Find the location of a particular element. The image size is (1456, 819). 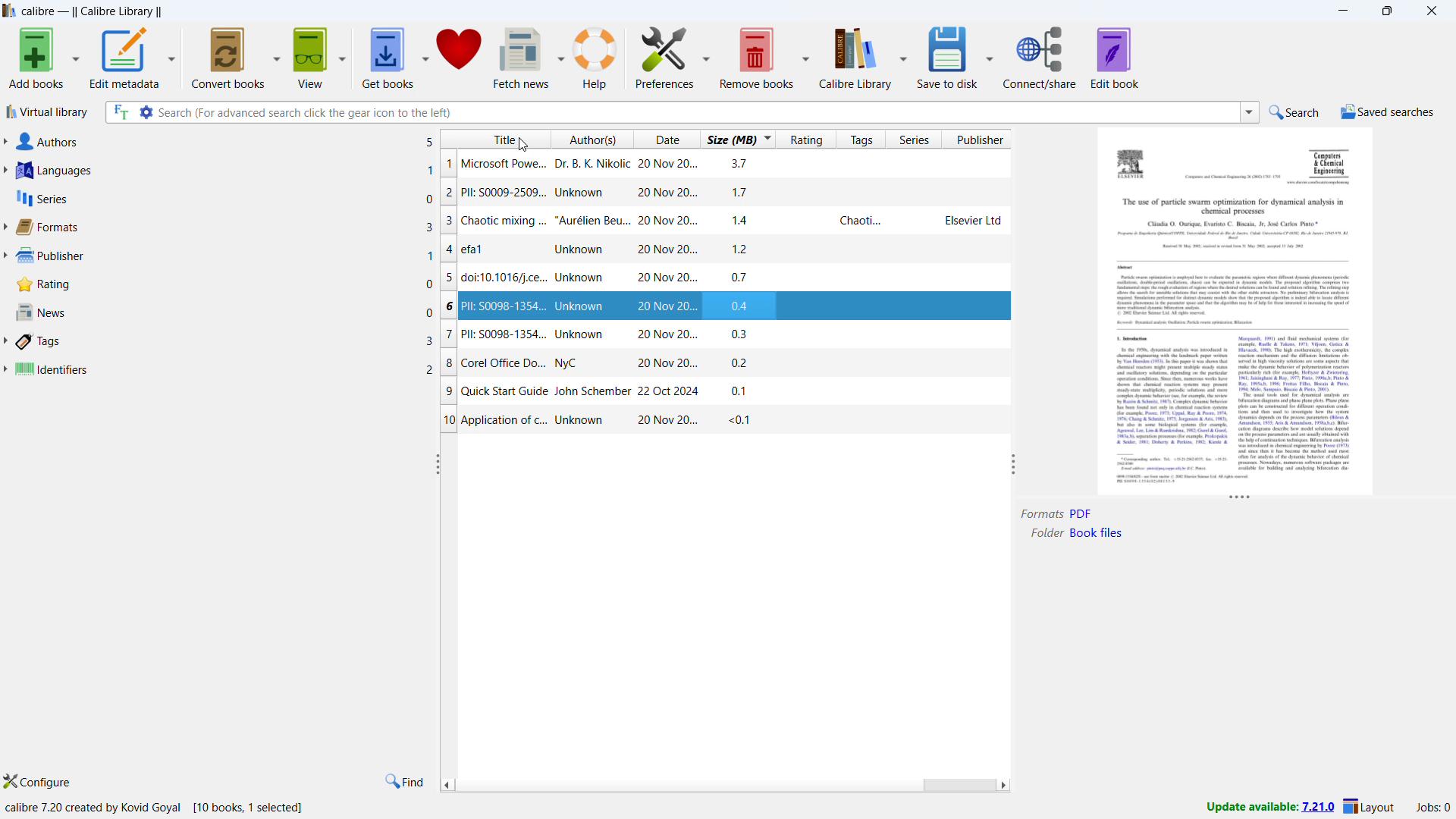

Microsoft Powe... Dr. B. K. Nikolic 20 Nov 20... is located at coordinates (582, 163).